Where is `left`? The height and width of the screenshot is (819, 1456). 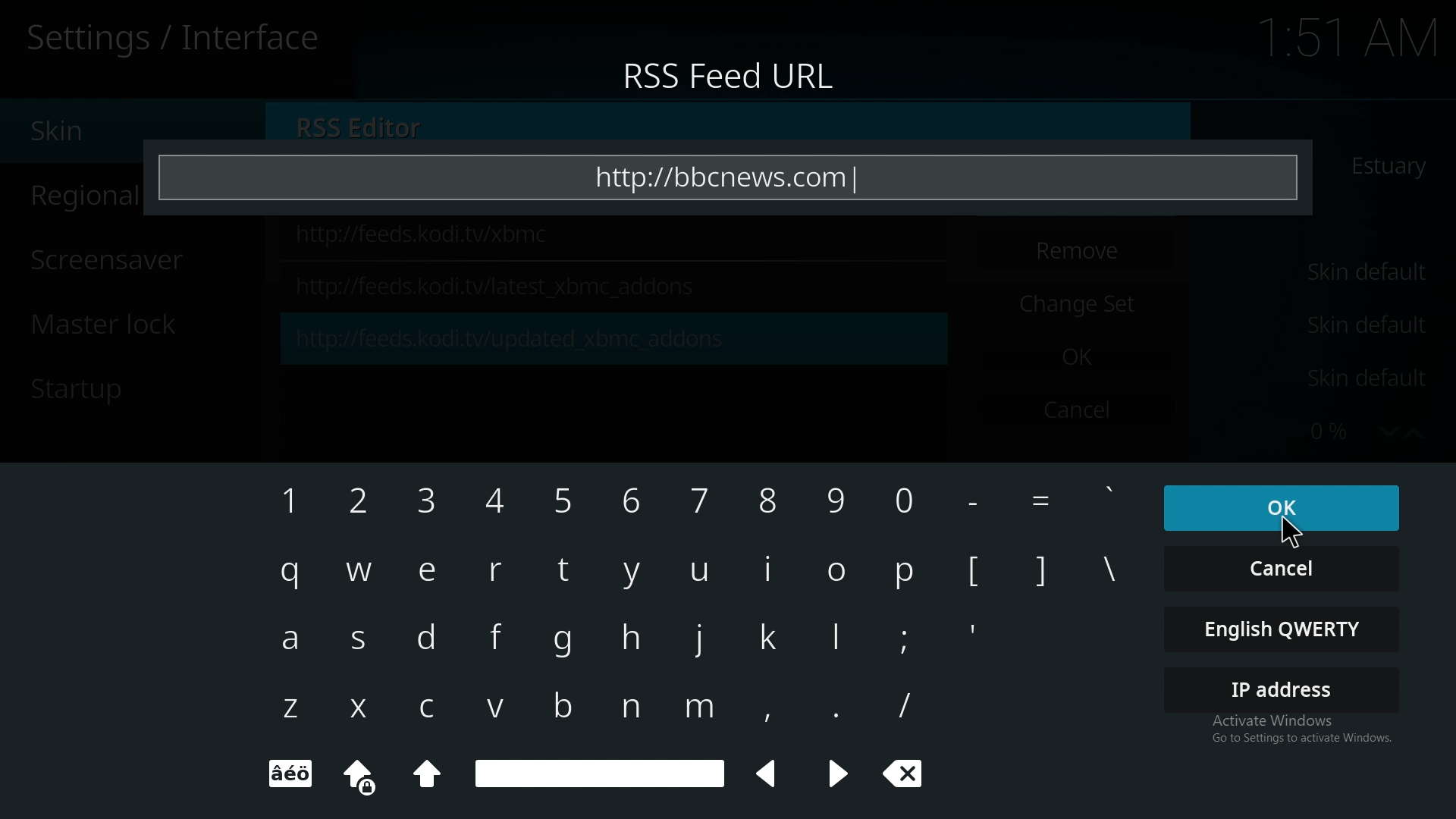
left is located at coordinates (771, 776).